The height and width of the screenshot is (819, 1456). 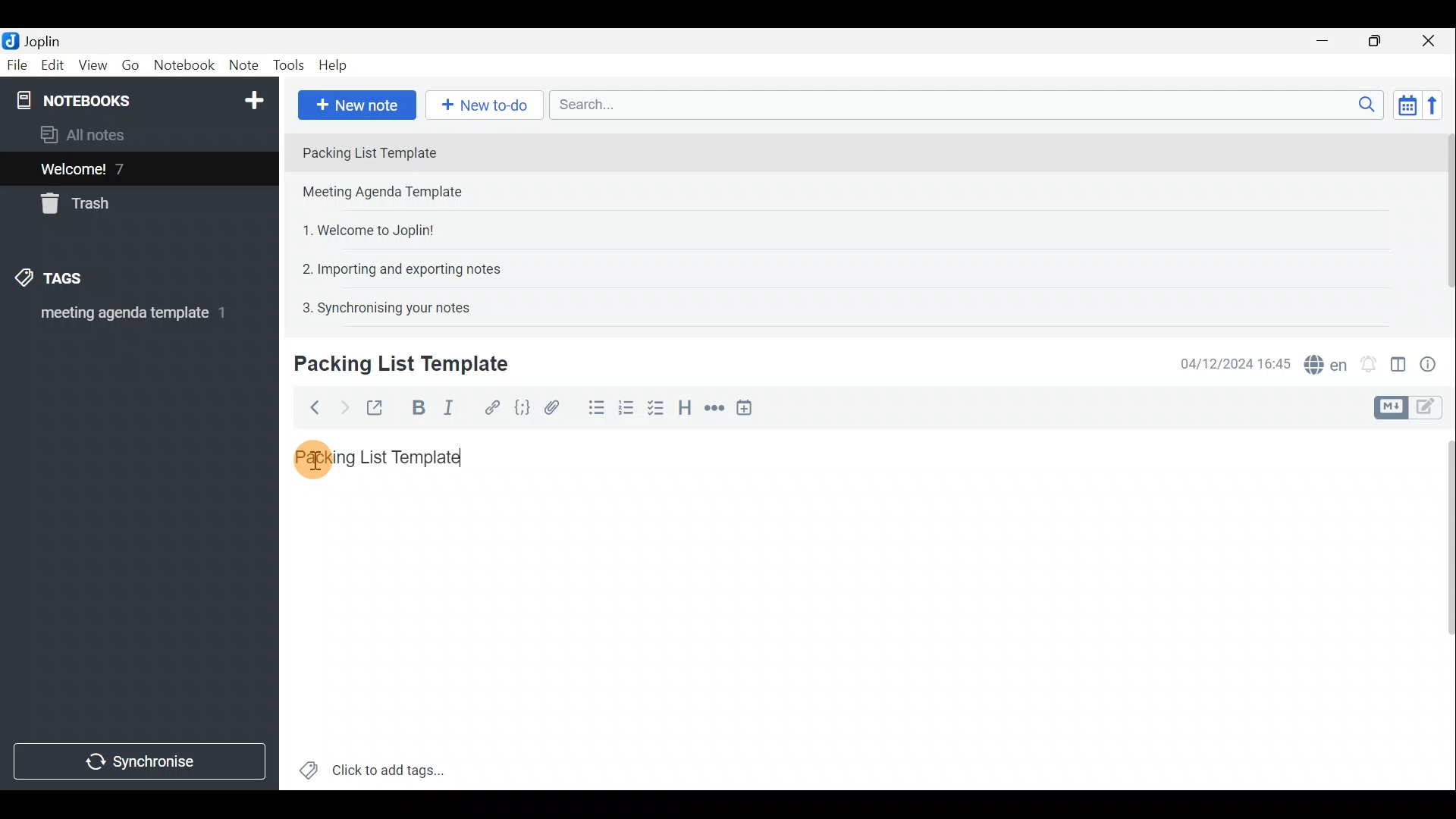 I want to click on Spell checker, so click(x=1322, y=362).